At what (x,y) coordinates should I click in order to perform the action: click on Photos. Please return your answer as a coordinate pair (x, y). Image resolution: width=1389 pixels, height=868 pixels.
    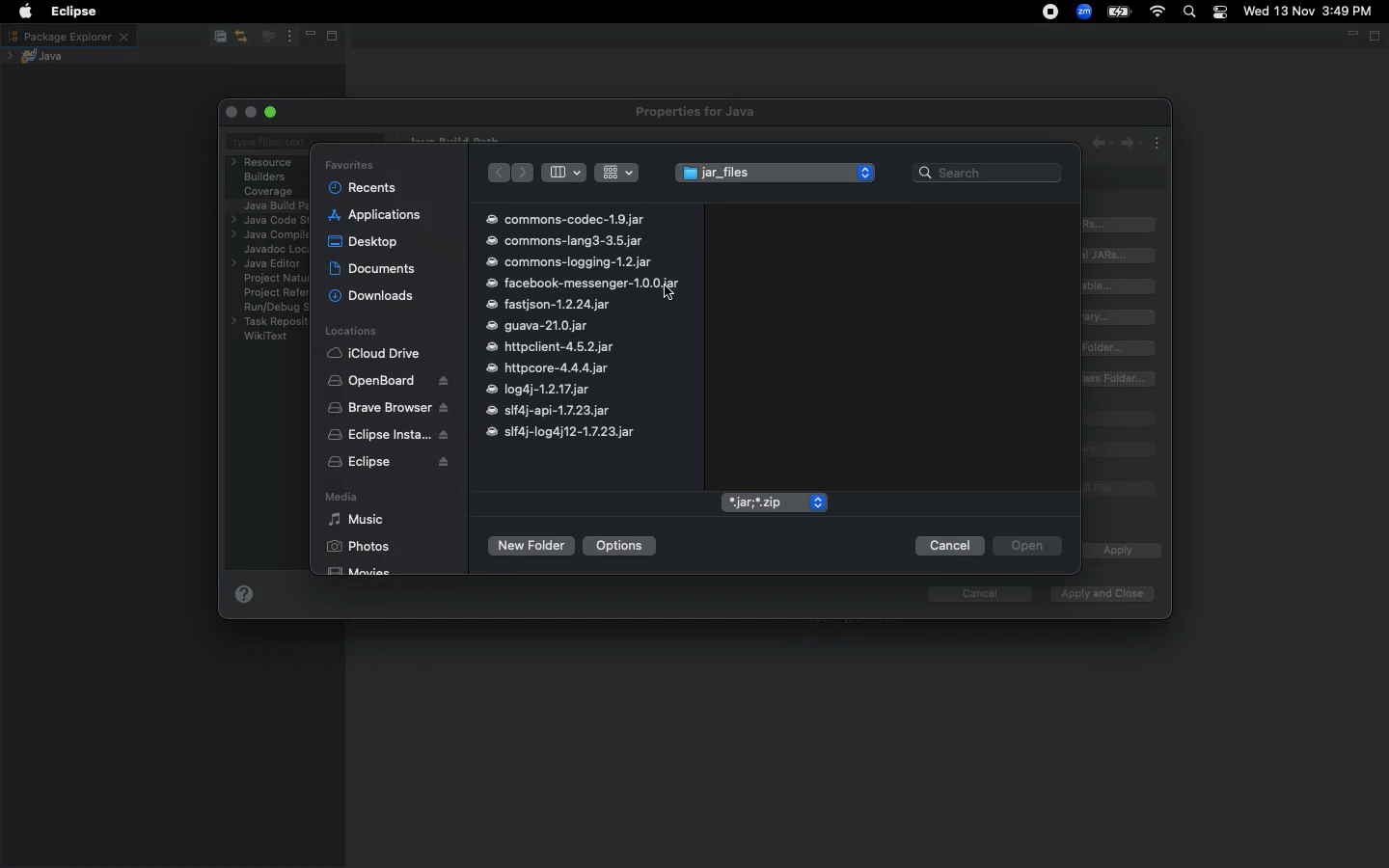
    Looking at the image, I should click on (358, 546).